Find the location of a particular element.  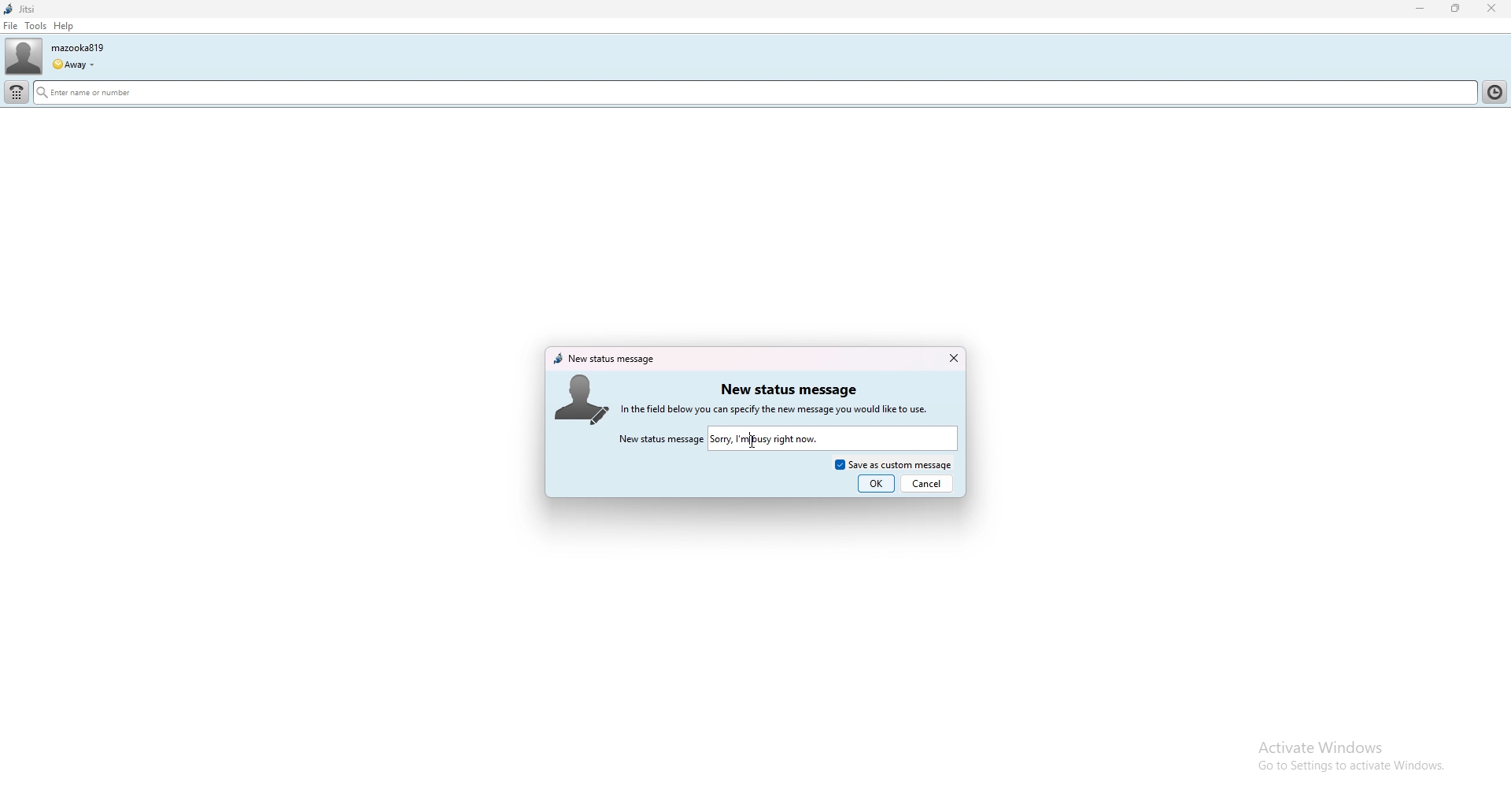

minimize is located at coordinates (1420, 9).